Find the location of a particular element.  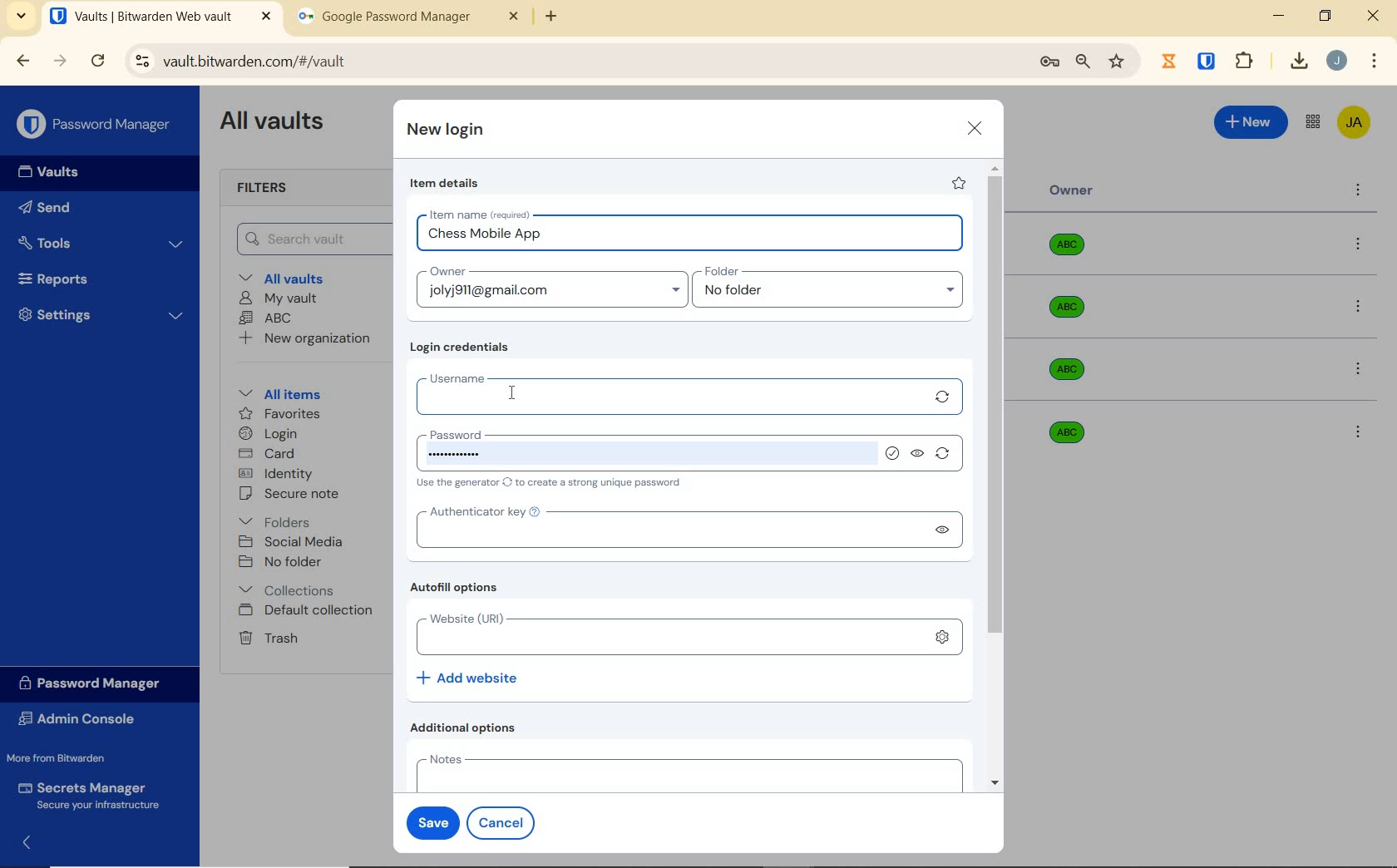

generate is located at coordinates (946, 456).